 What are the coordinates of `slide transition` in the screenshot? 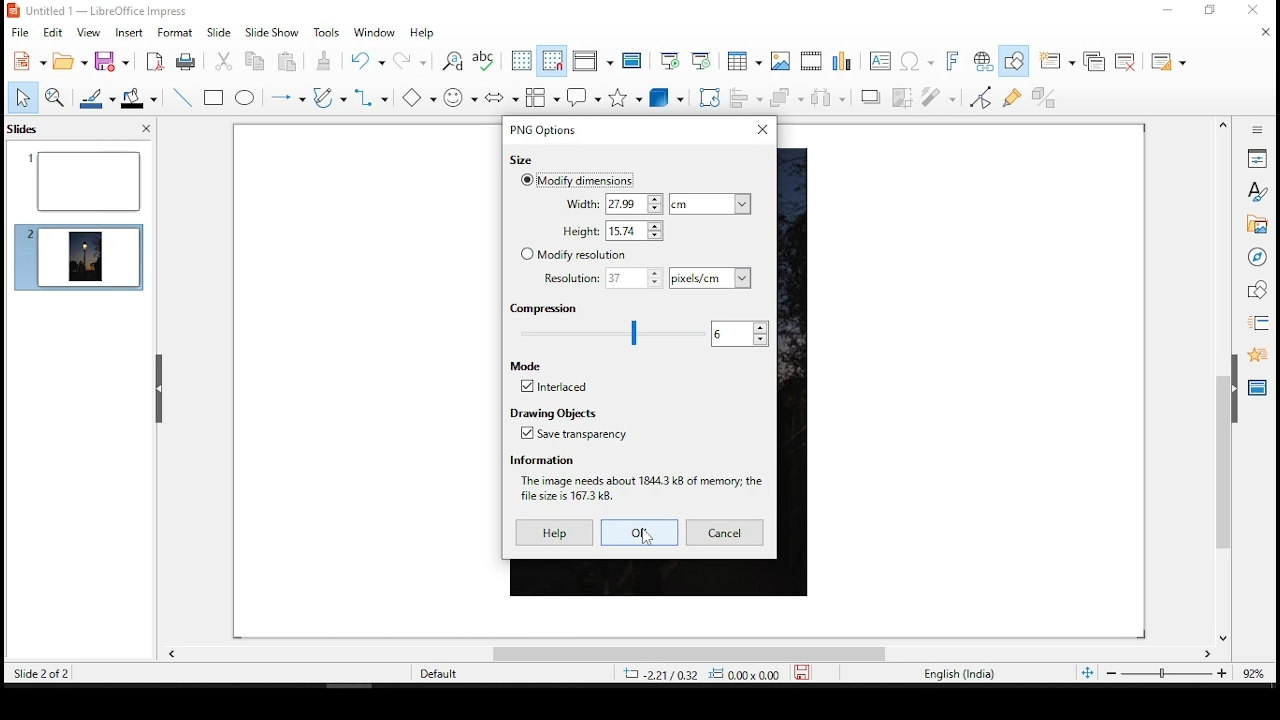 It's located at (1261, 324).